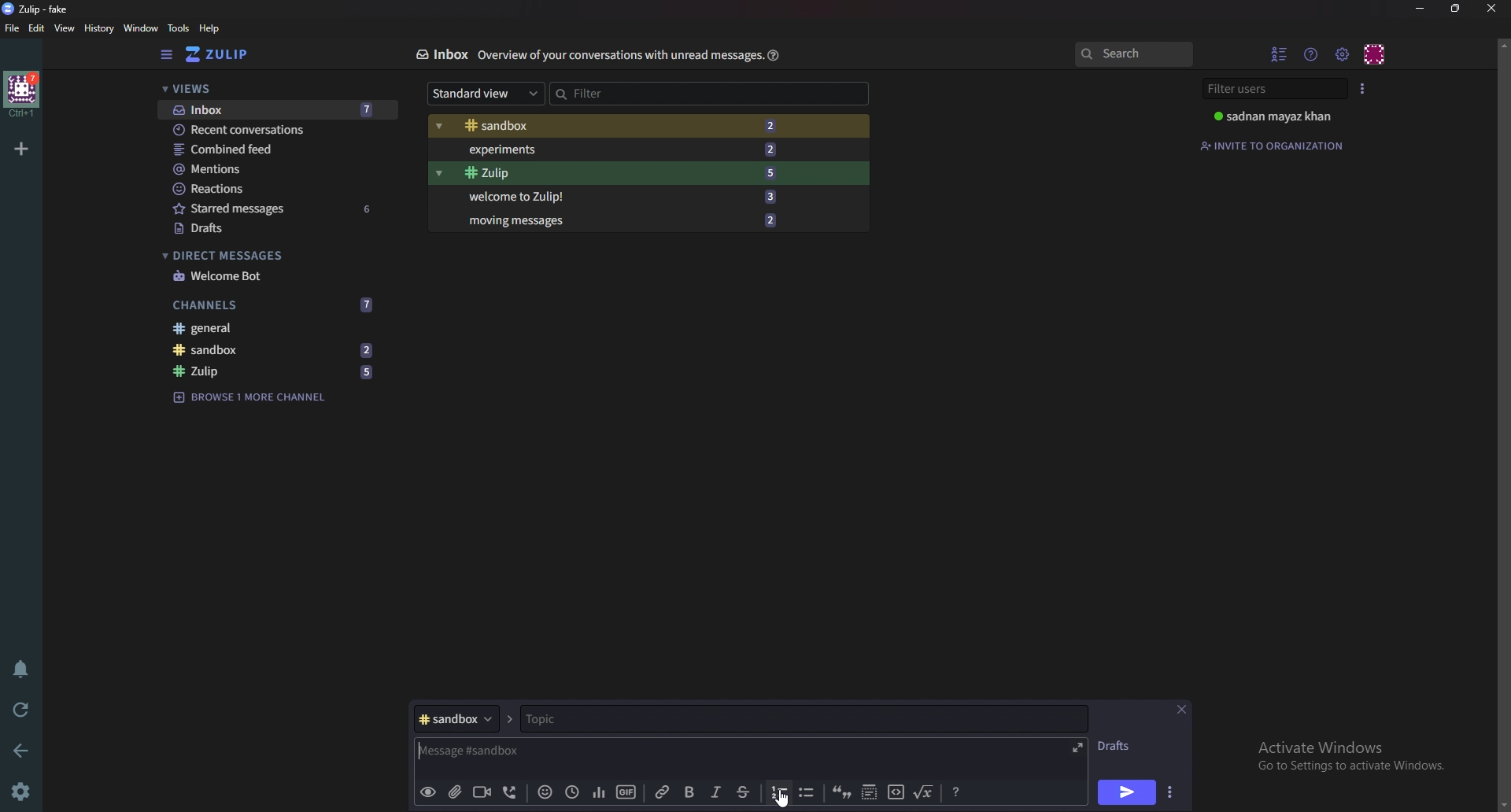 Image resolution: width=1511 pixels, height=812 pixels. Describe the element at coordinates (268, 256) in the screenshot. I see `Direct messages` at that location.